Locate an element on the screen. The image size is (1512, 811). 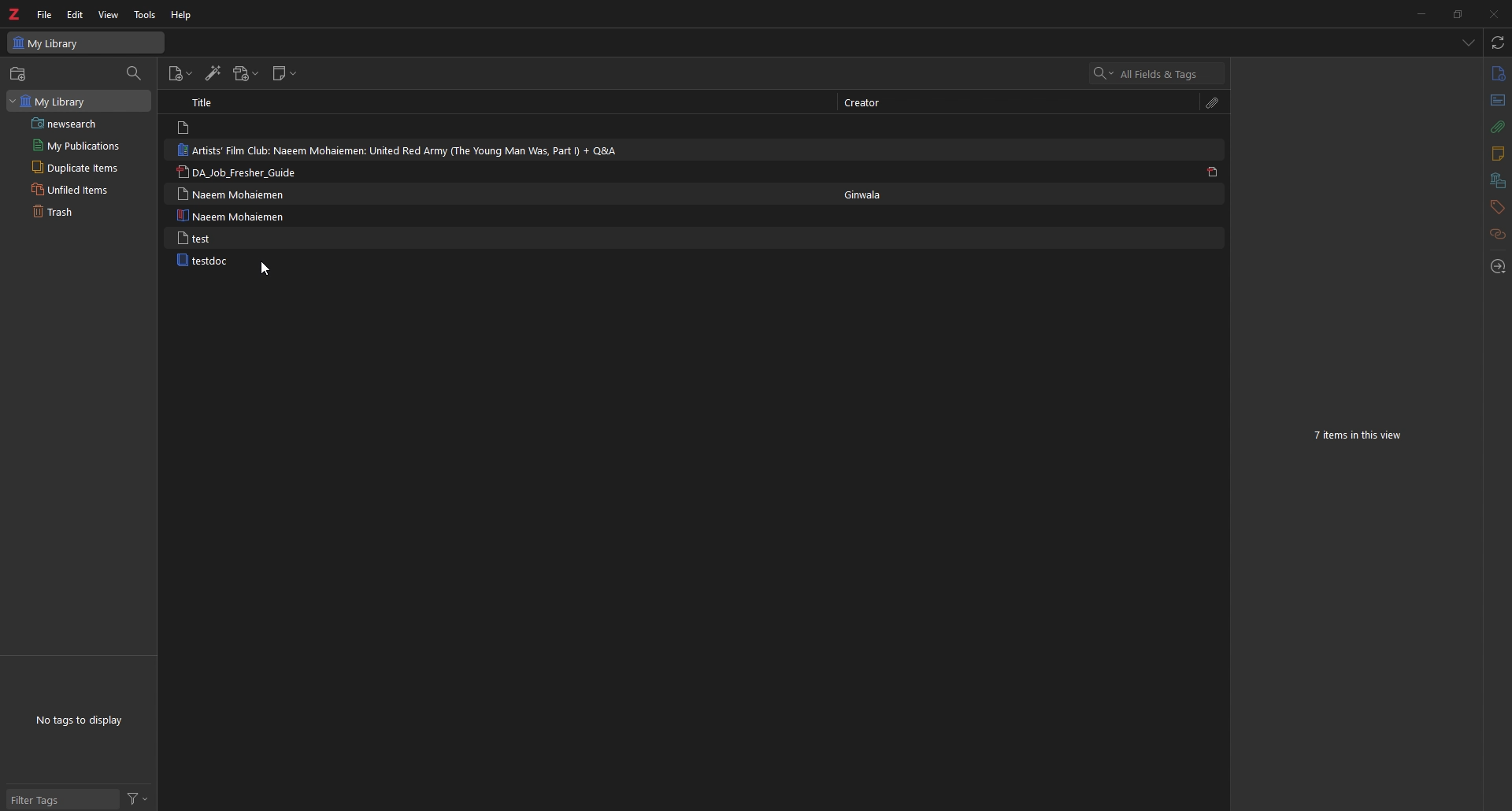
attachment is located at coordinates (1213, 104).